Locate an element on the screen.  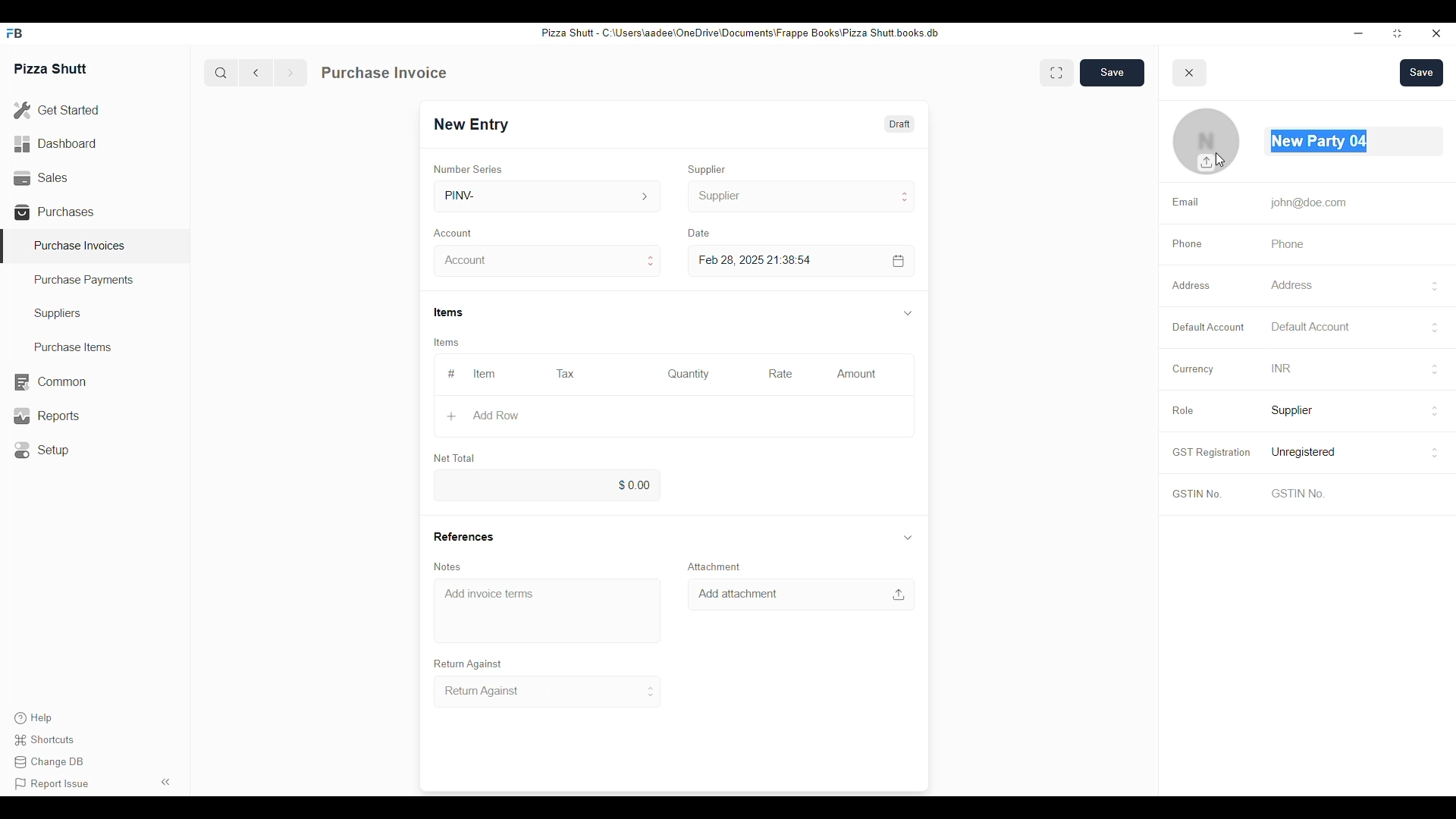
Shortcuts is located at coordinates (48, 740).